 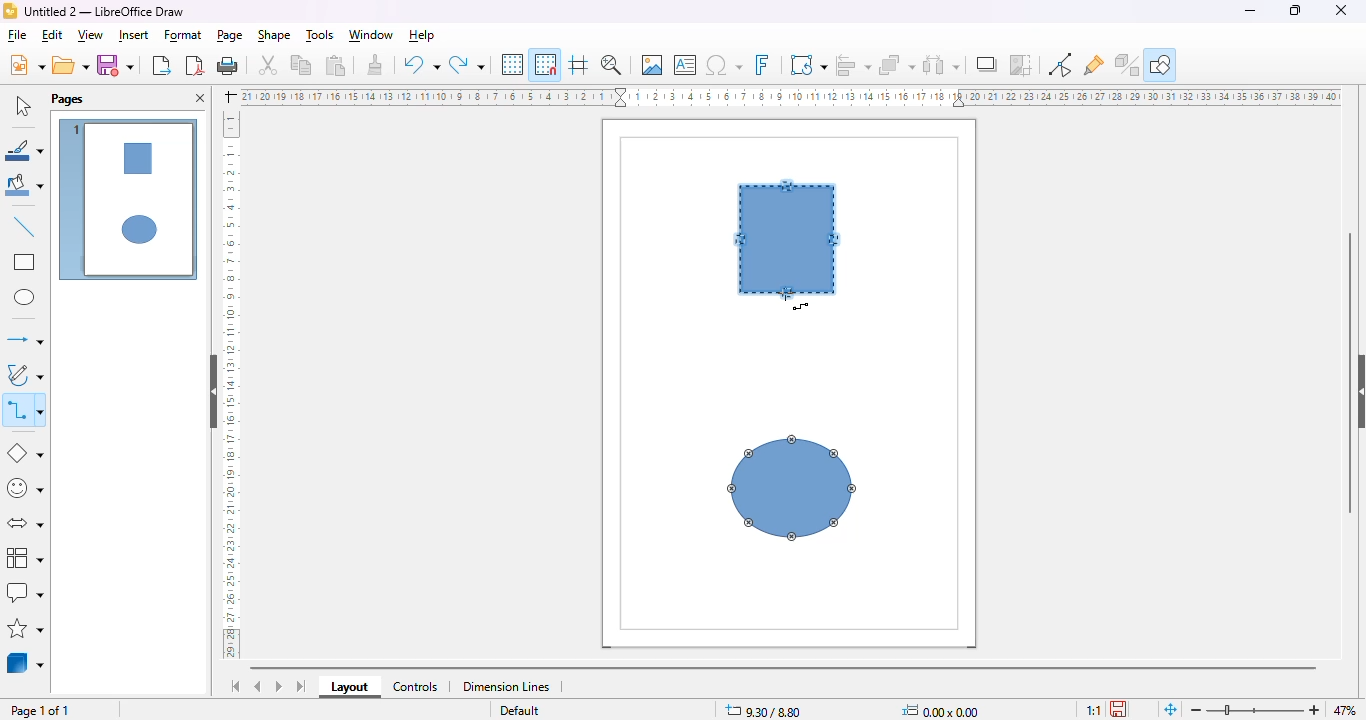 What do you see at coordinates (1340, 10) in the screenshot?
I see `close` at bounding box center [1340, 10].